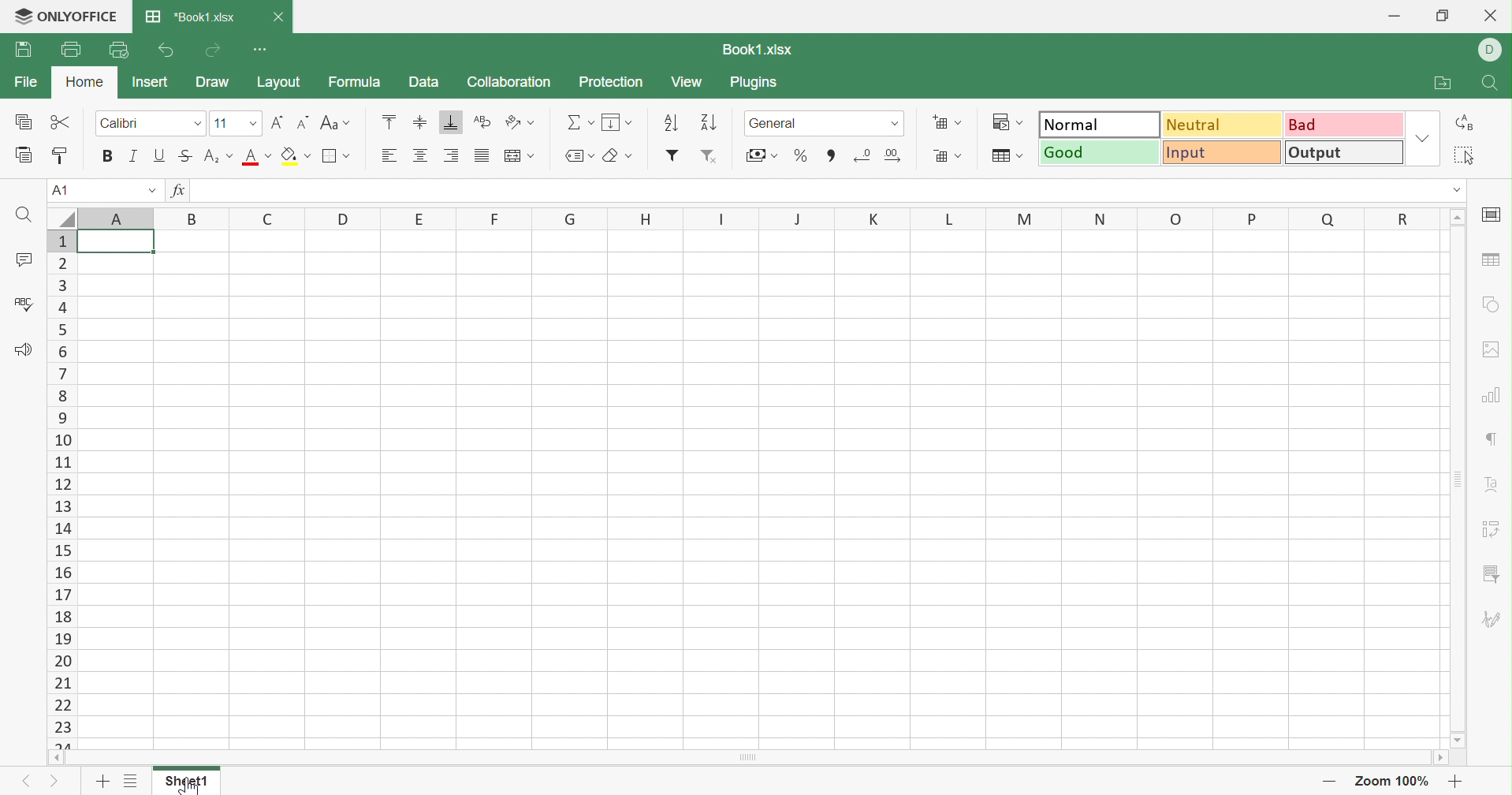 Image resolution: width=1512 pixels, height=795 pixels. Describe the element at coordinates (213, 50) in the screenshot. I see `Redo` at that location.